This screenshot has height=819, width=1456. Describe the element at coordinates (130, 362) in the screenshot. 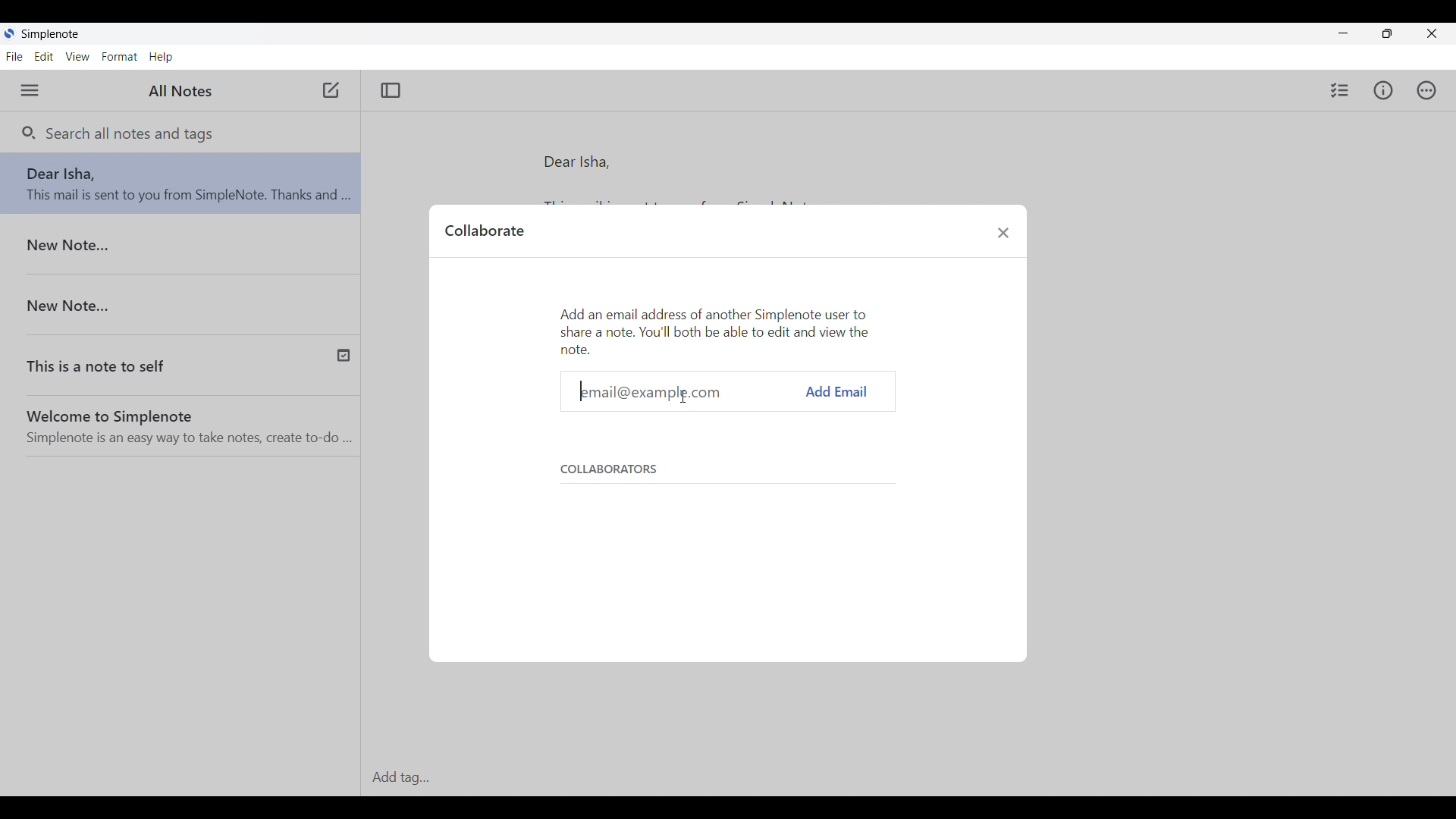

I see `This is a note self` at that location.